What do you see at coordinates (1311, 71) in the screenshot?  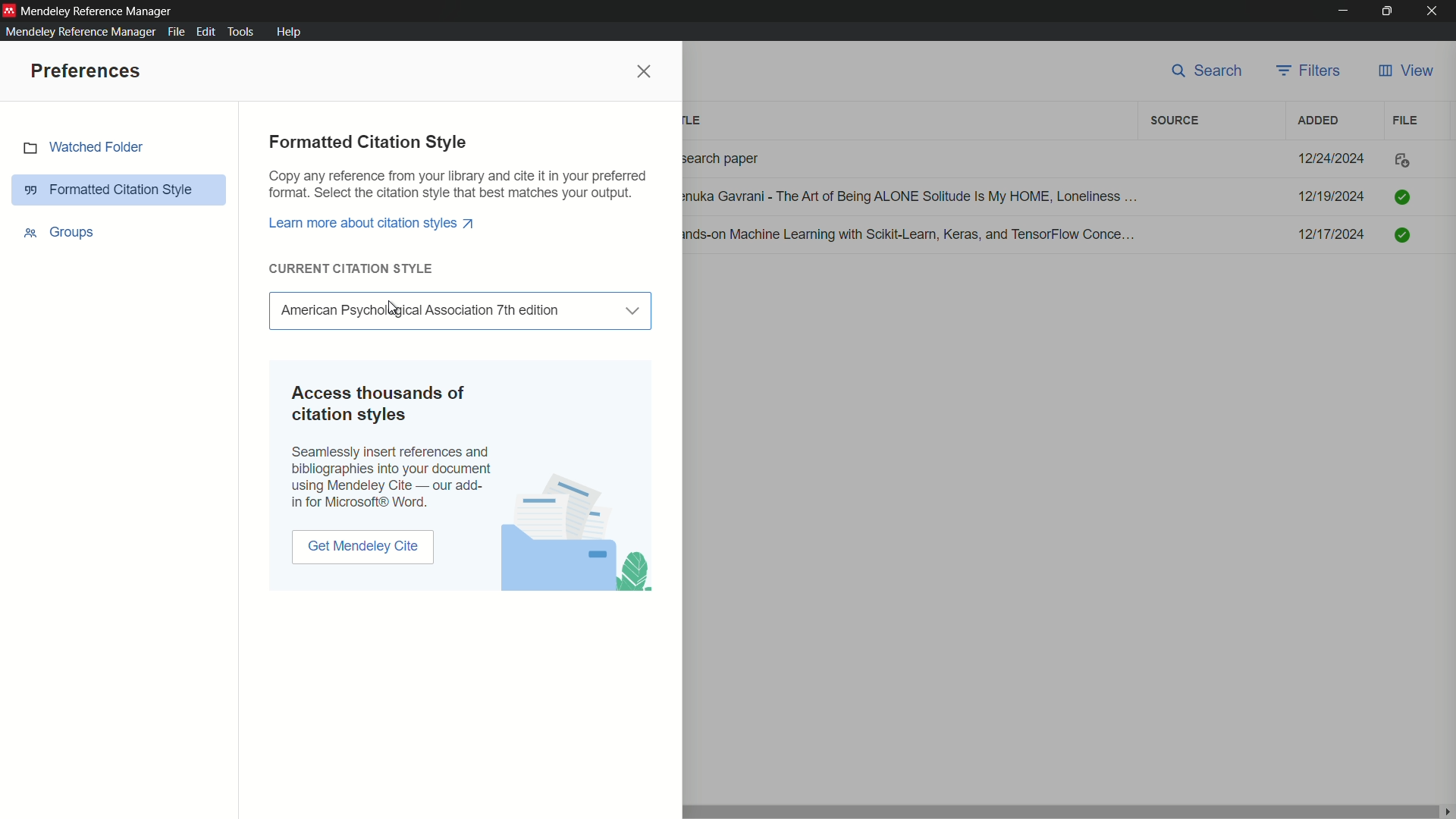 I see `filters` at bounding box center [1311, 71].